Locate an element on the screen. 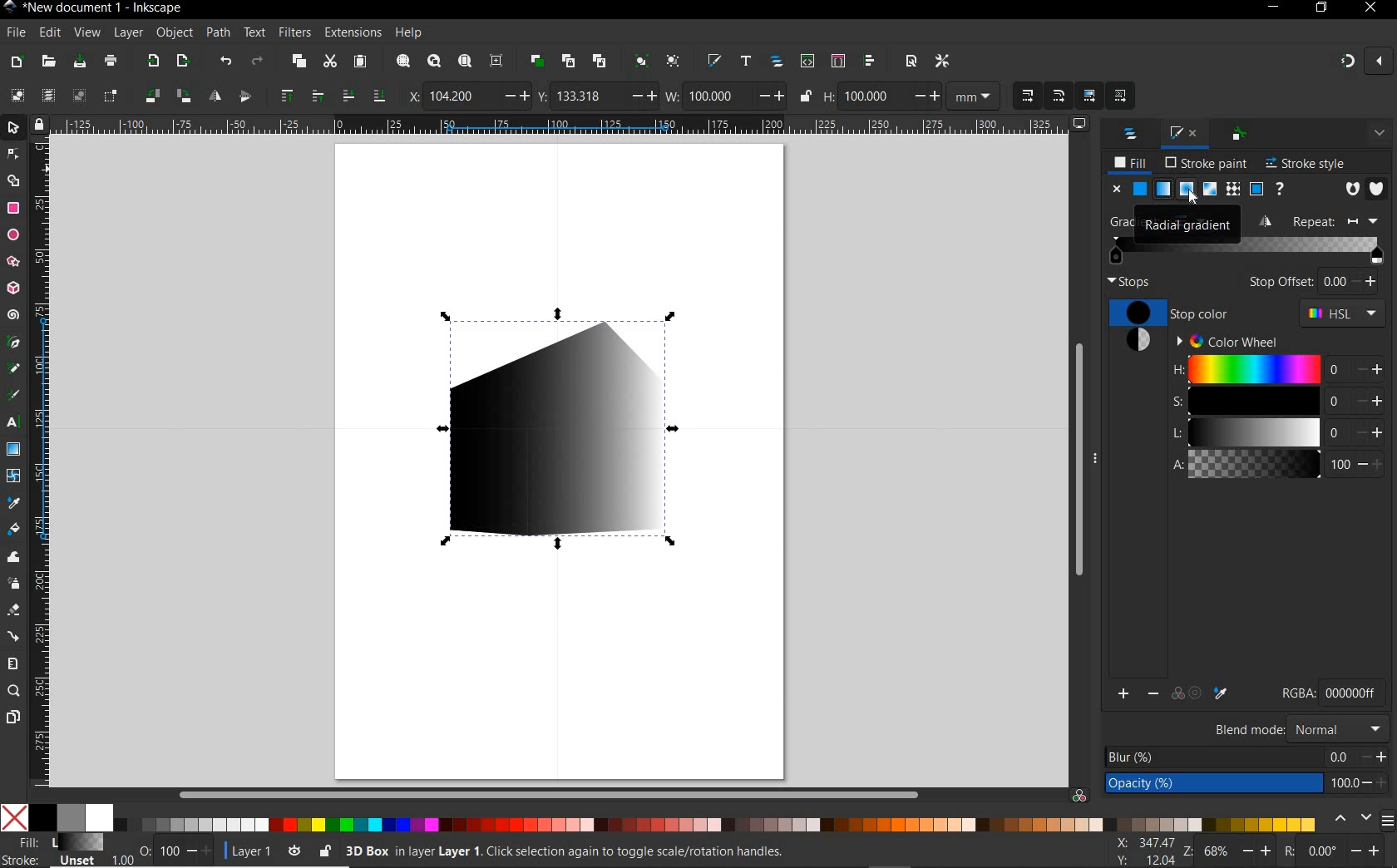 The width and height of the screenshot is (1397, 868). UNLINK CODE is located at coordinates (600, 62).